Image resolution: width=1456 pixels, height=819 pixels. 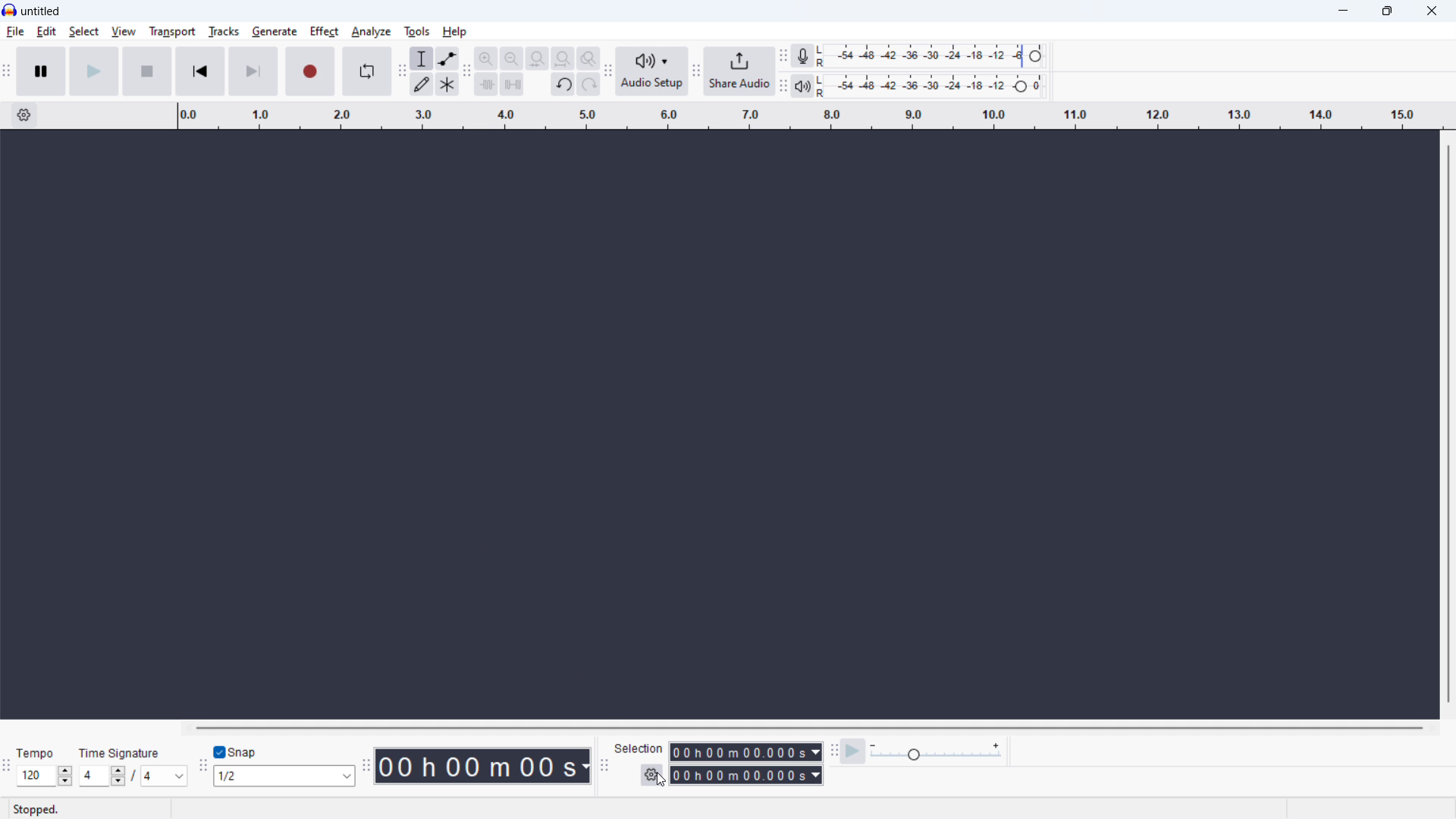 I want to click on effect, so click(x=324, y=32).